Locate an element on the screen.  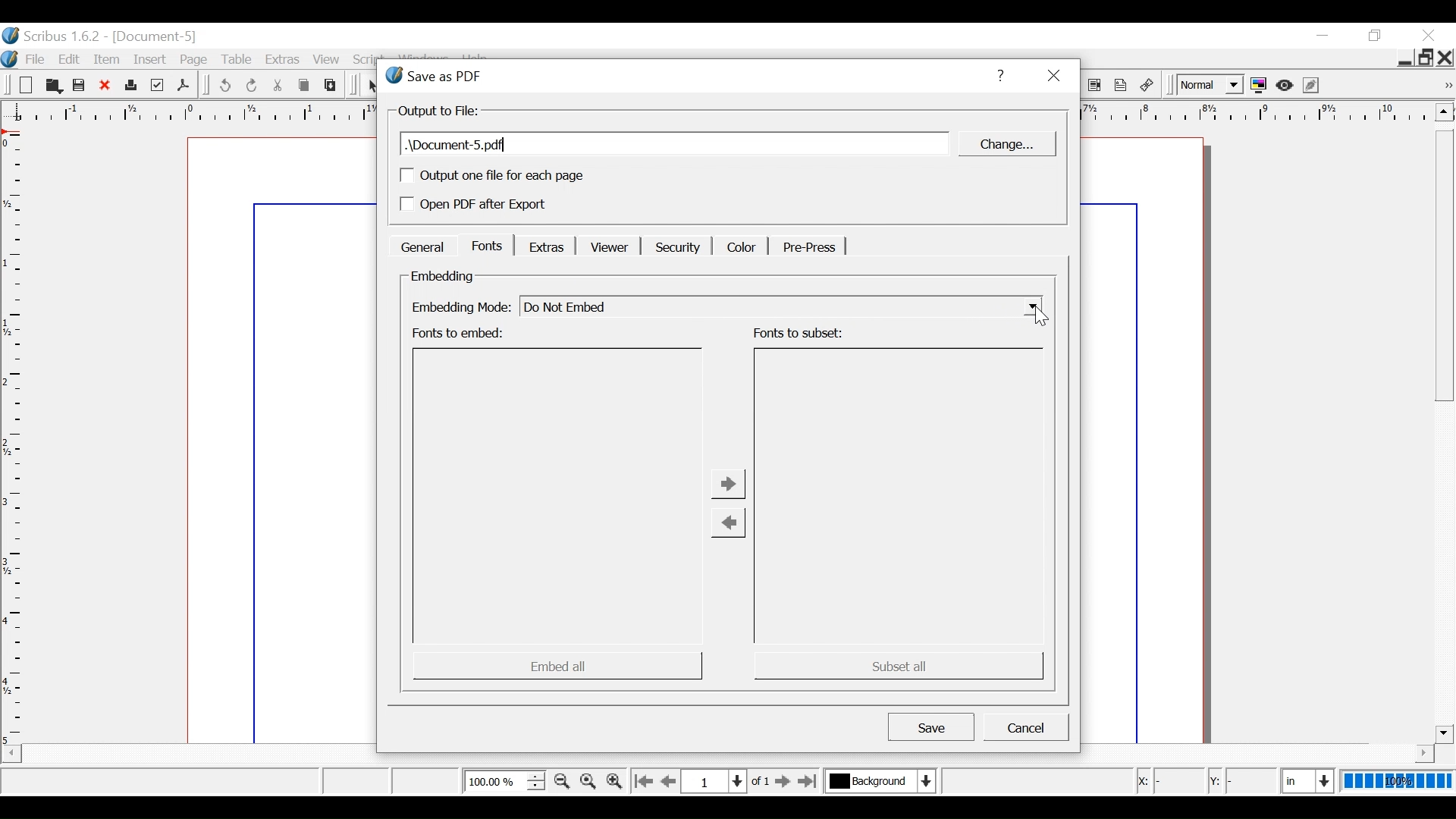
Select is located at coordinates (374, 86).